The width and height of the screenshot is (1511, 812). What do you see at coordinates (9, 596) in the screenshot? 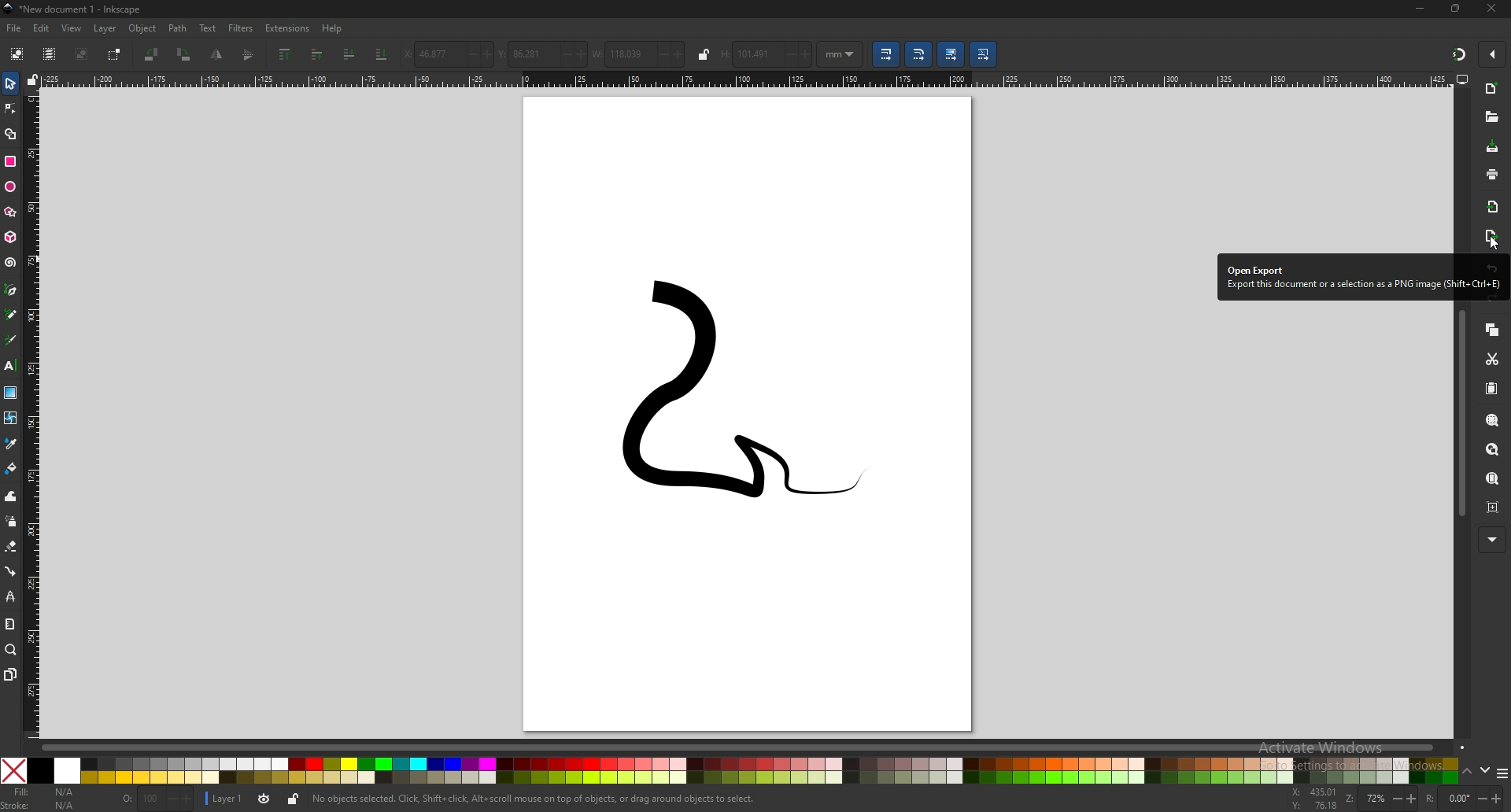
I see `lpe` at bounding box center [9, 596].